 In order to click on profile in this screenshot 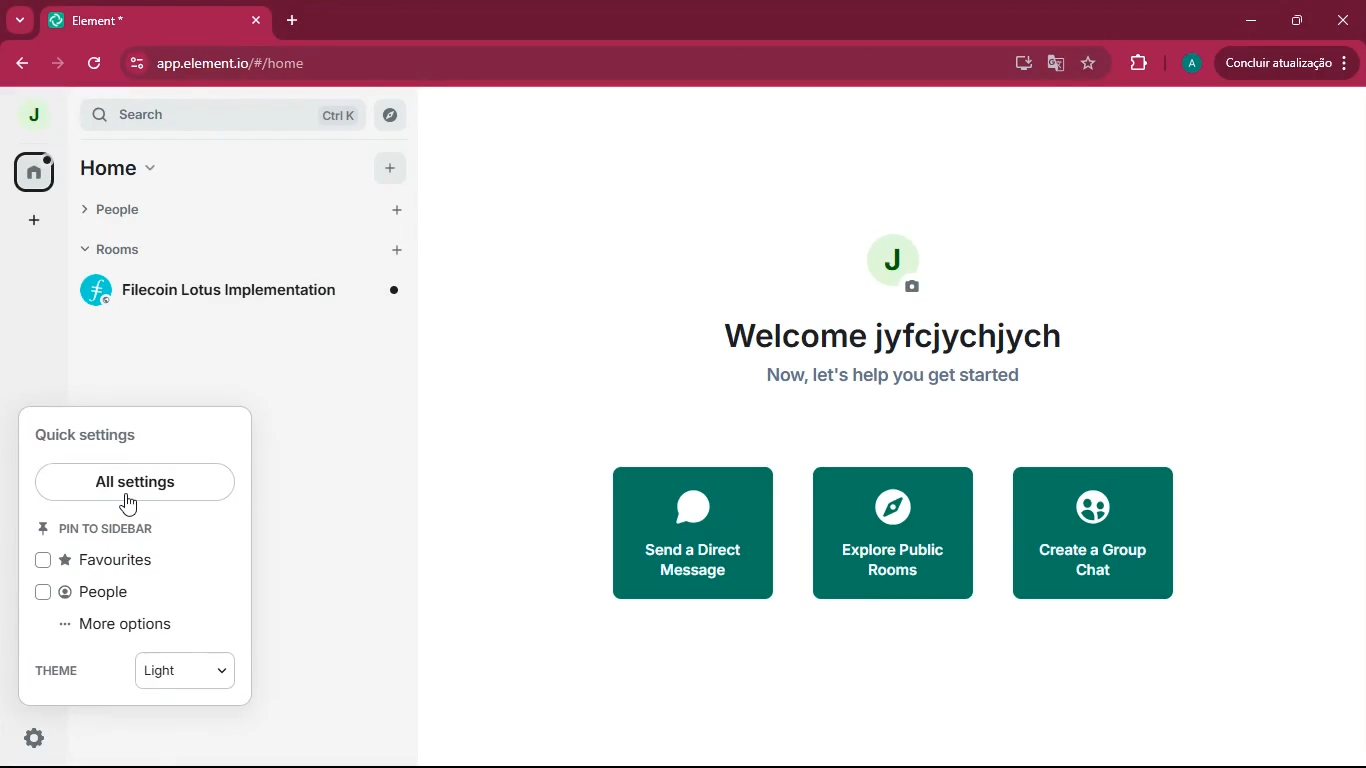, I will do `click(1188, 63)`.